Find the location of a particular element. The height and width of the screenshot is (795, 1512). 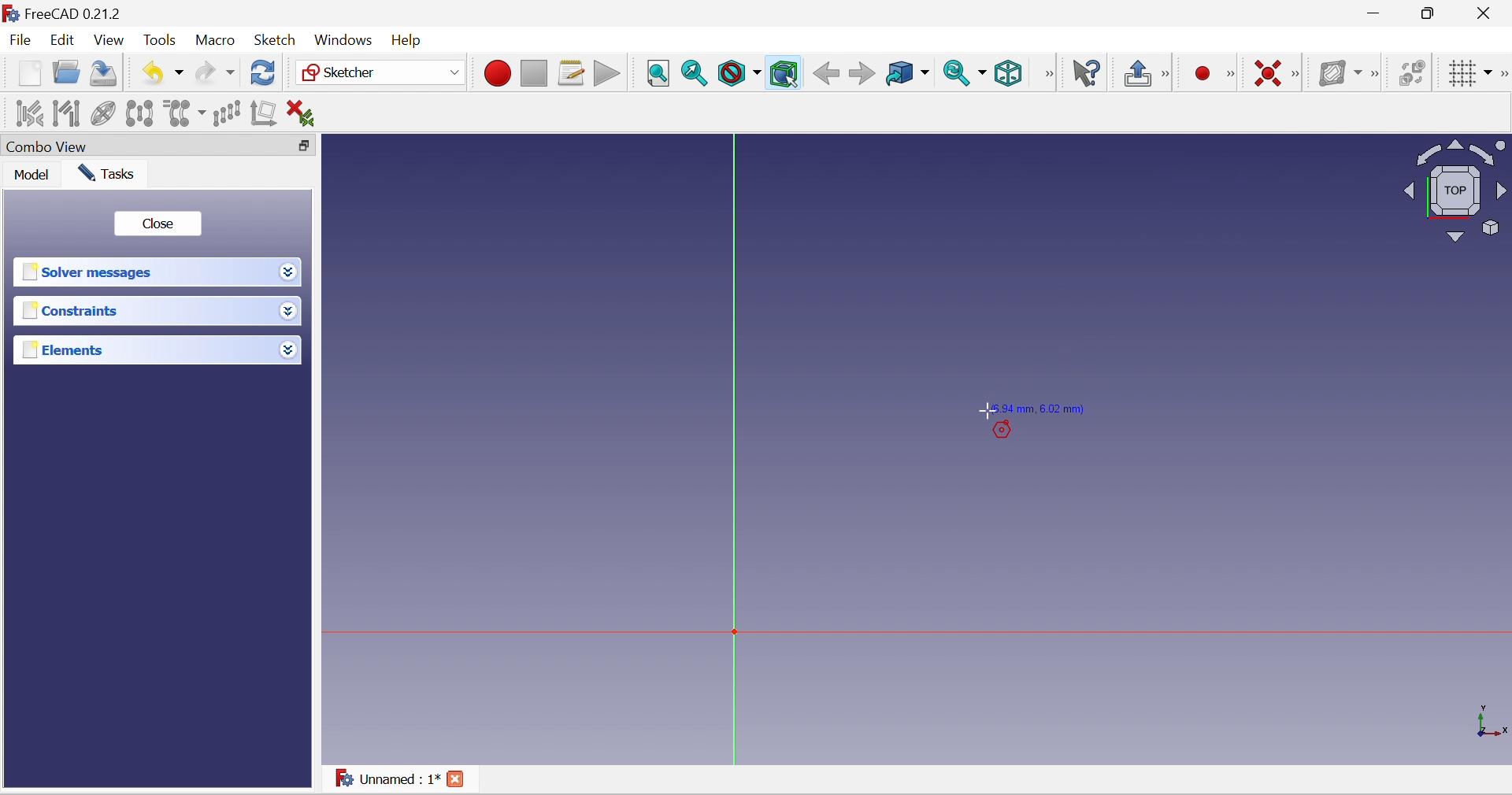

Elements is located at coordinates (144, 349).